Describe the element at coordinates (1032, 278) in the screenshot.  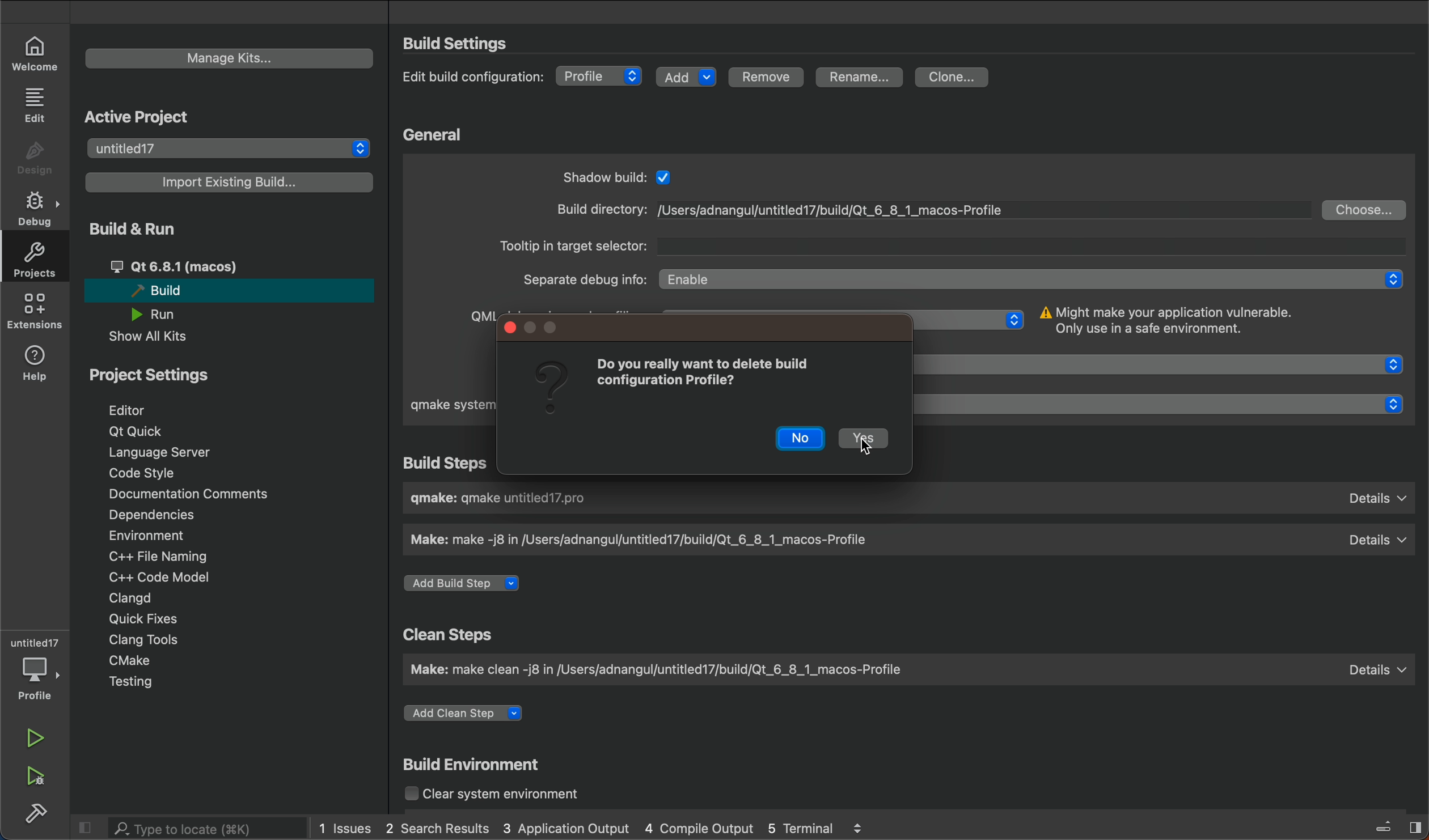
I see `Enable` at that location.